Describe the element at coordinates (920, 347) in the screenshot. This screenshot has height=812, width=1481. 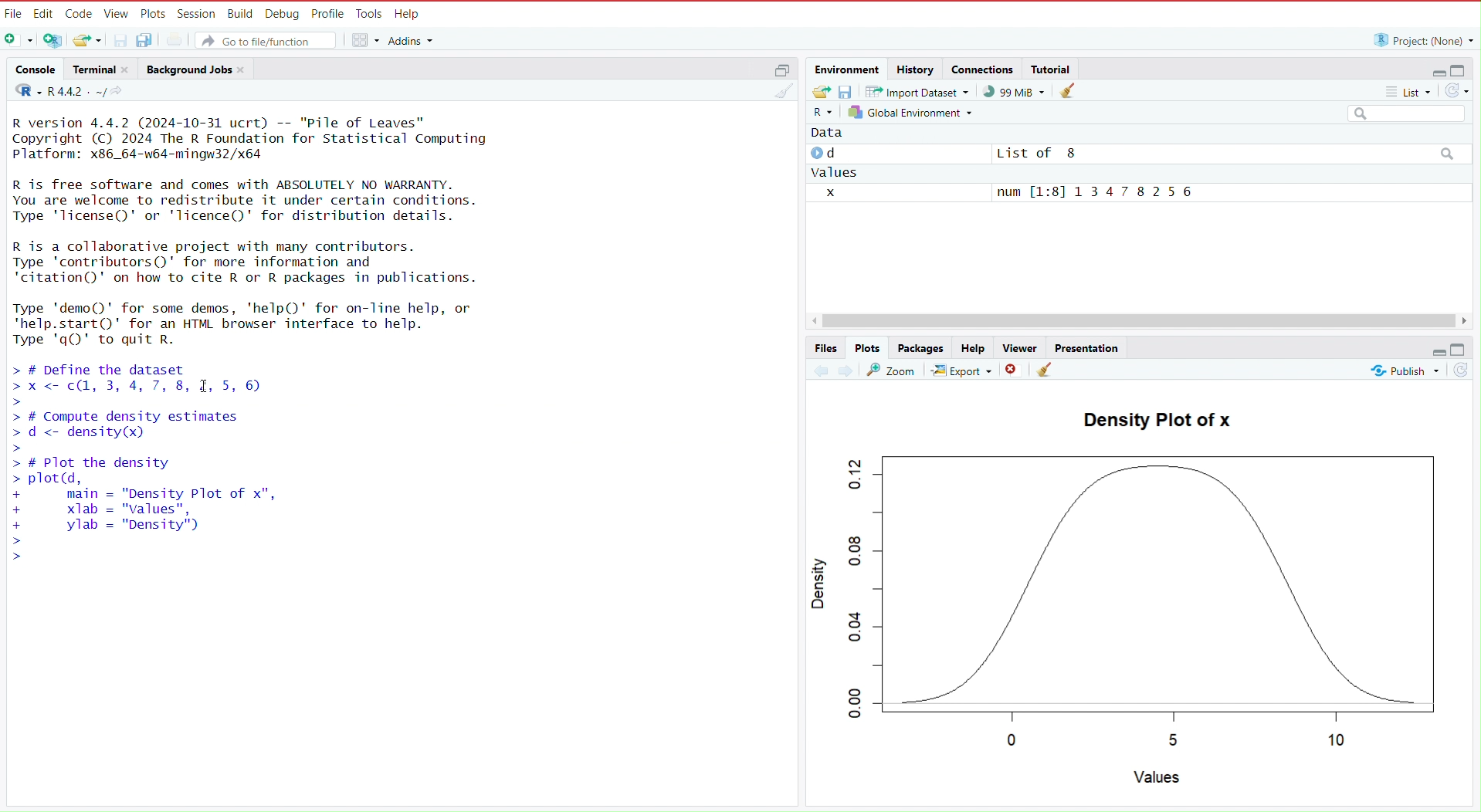
I see `packages` at that location.